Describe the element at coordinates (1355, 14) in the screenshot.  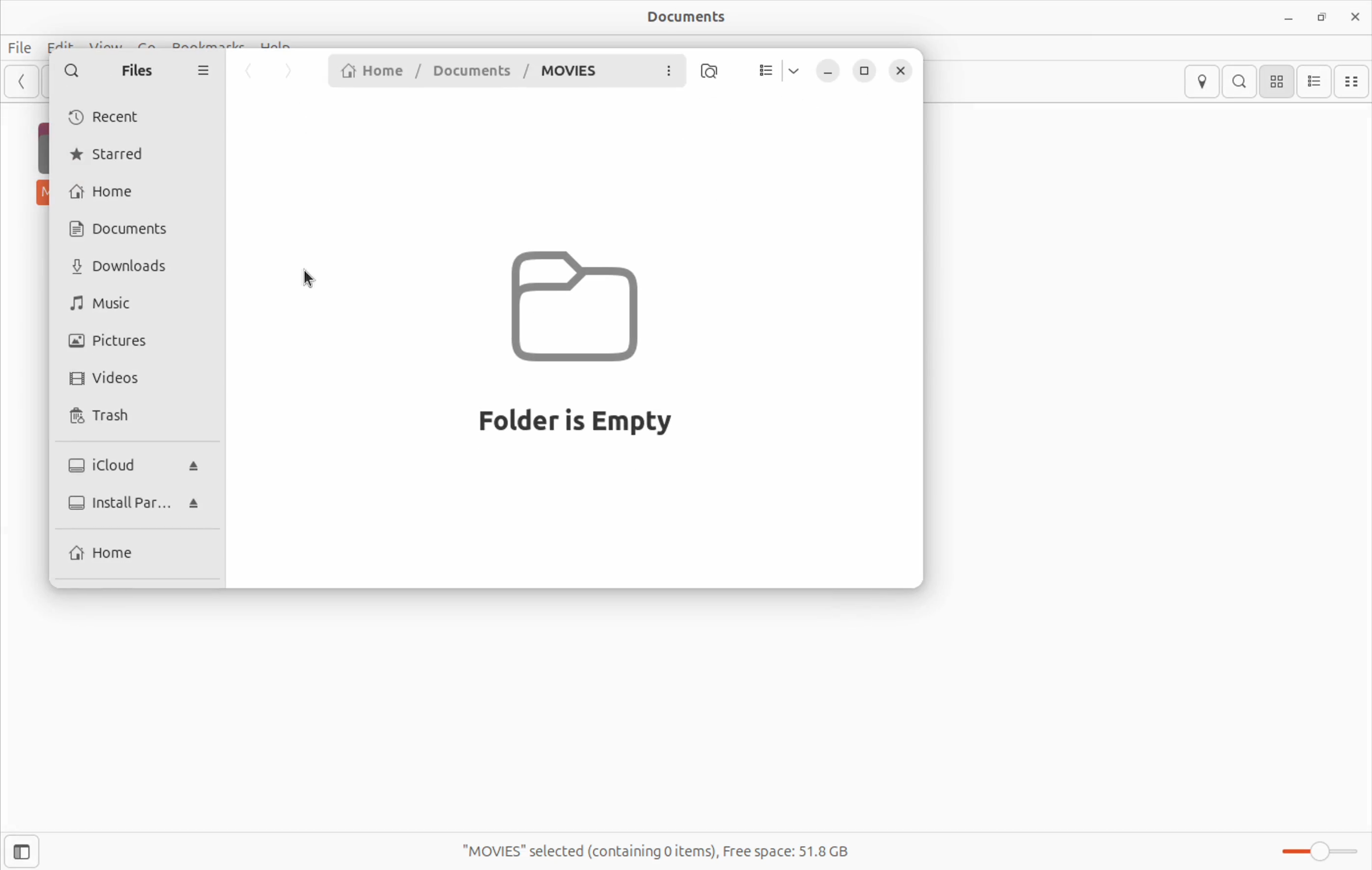
I see `close` at that location.